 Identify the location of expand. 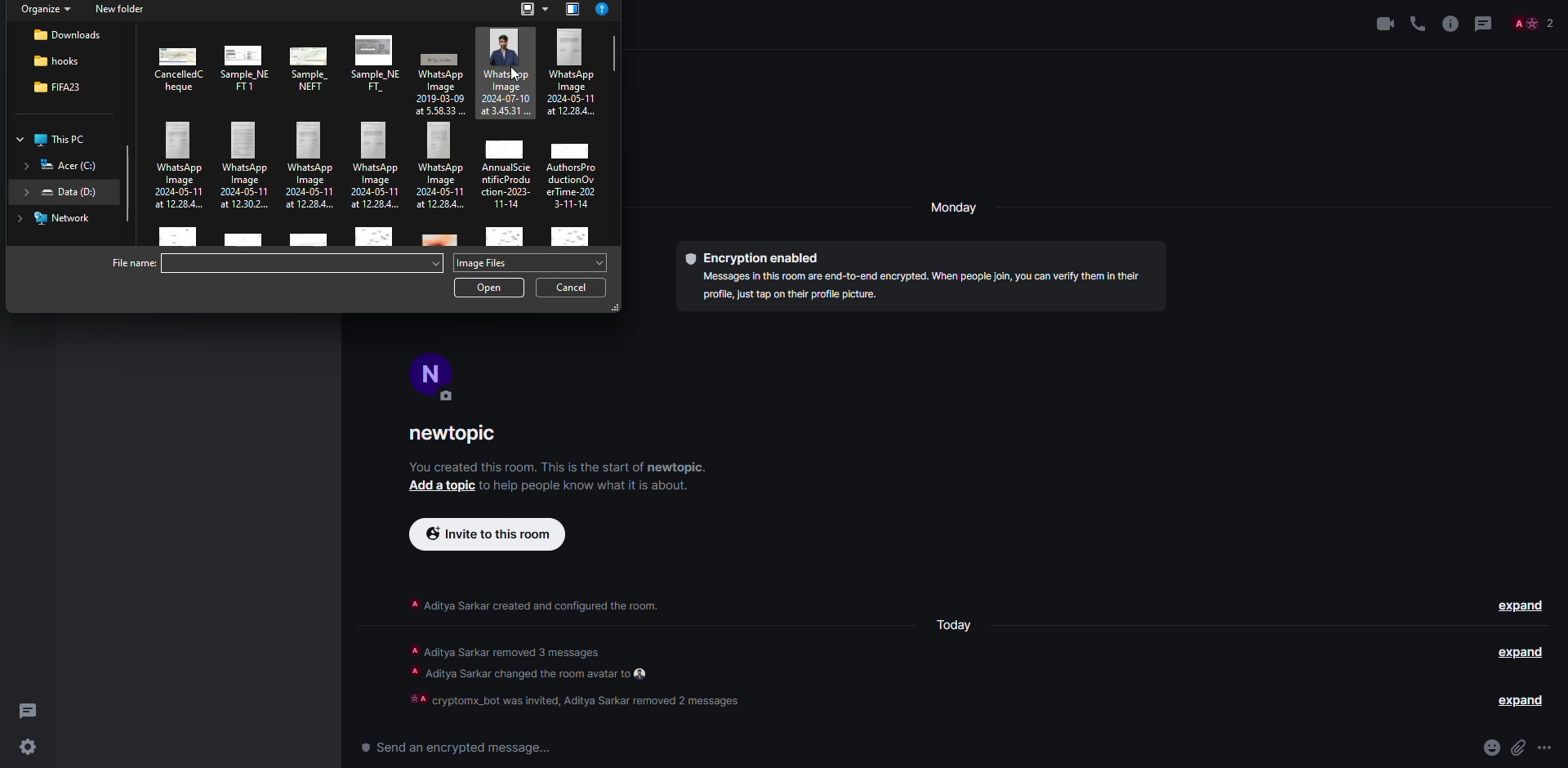
(1524, 654).